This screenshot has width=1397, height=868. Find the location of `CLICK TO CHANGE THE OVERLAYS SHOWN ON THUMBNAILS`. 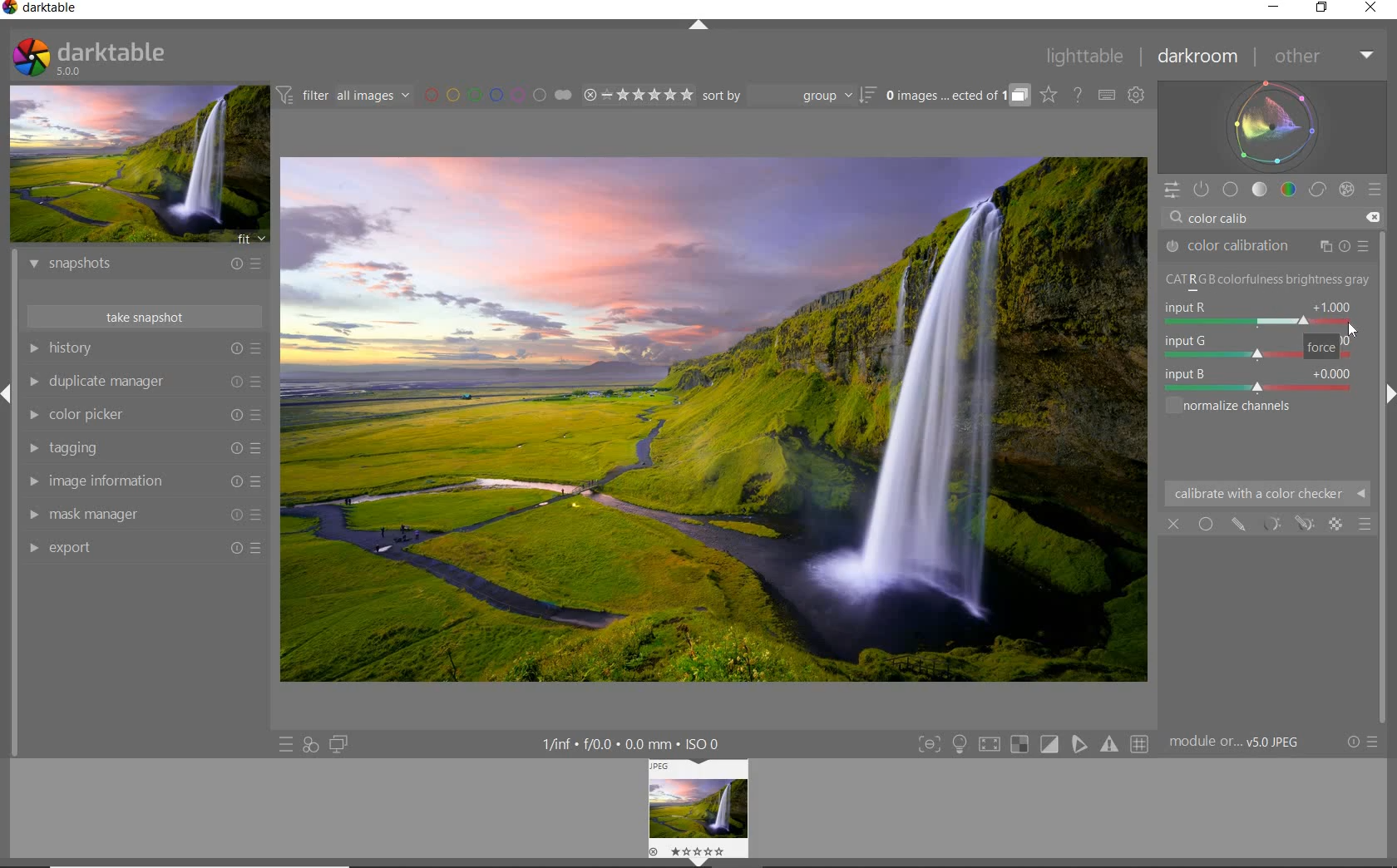

CLICK TO CHANGE THE OVERLAYS SHOWN ON THUMBNAILS is located at coordinates (1049, 95).